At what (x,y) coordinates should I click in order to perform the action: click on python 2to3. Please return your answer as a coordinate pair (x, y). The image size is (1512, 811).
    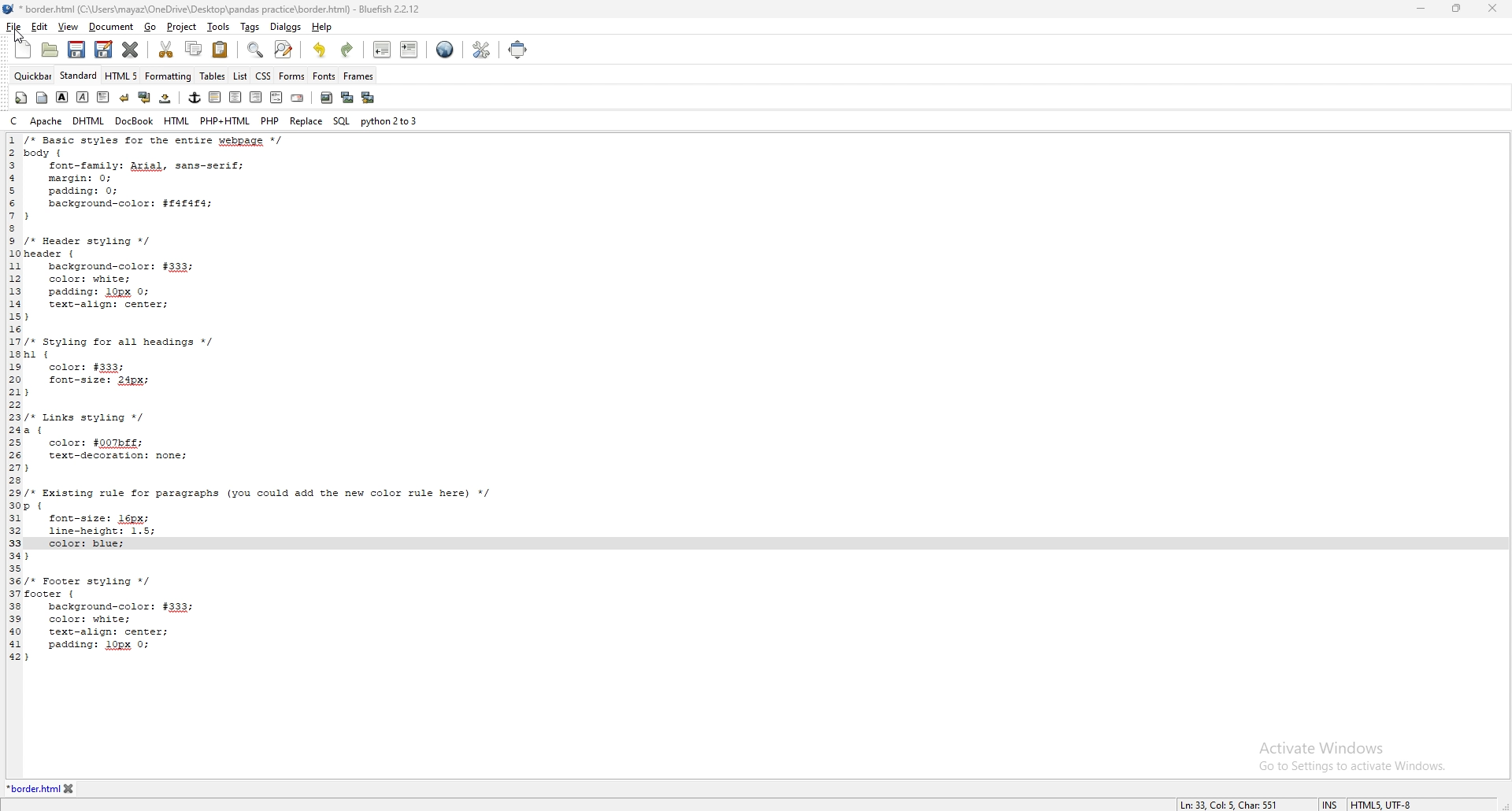
    Looking at the image, I should click on (389, 120).